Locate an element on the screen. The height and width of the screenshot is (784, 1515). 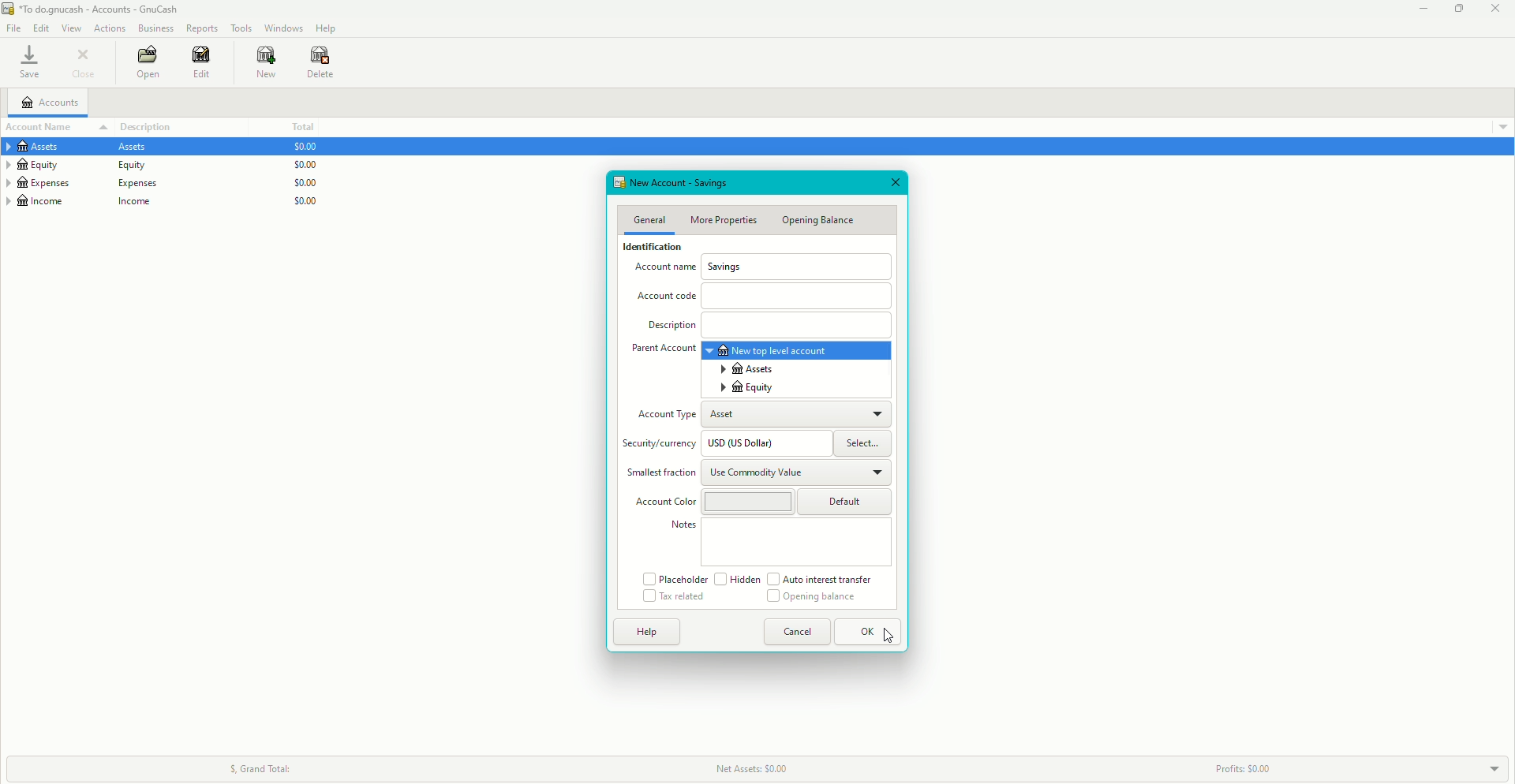
Total is located at coordinates (301, 127).